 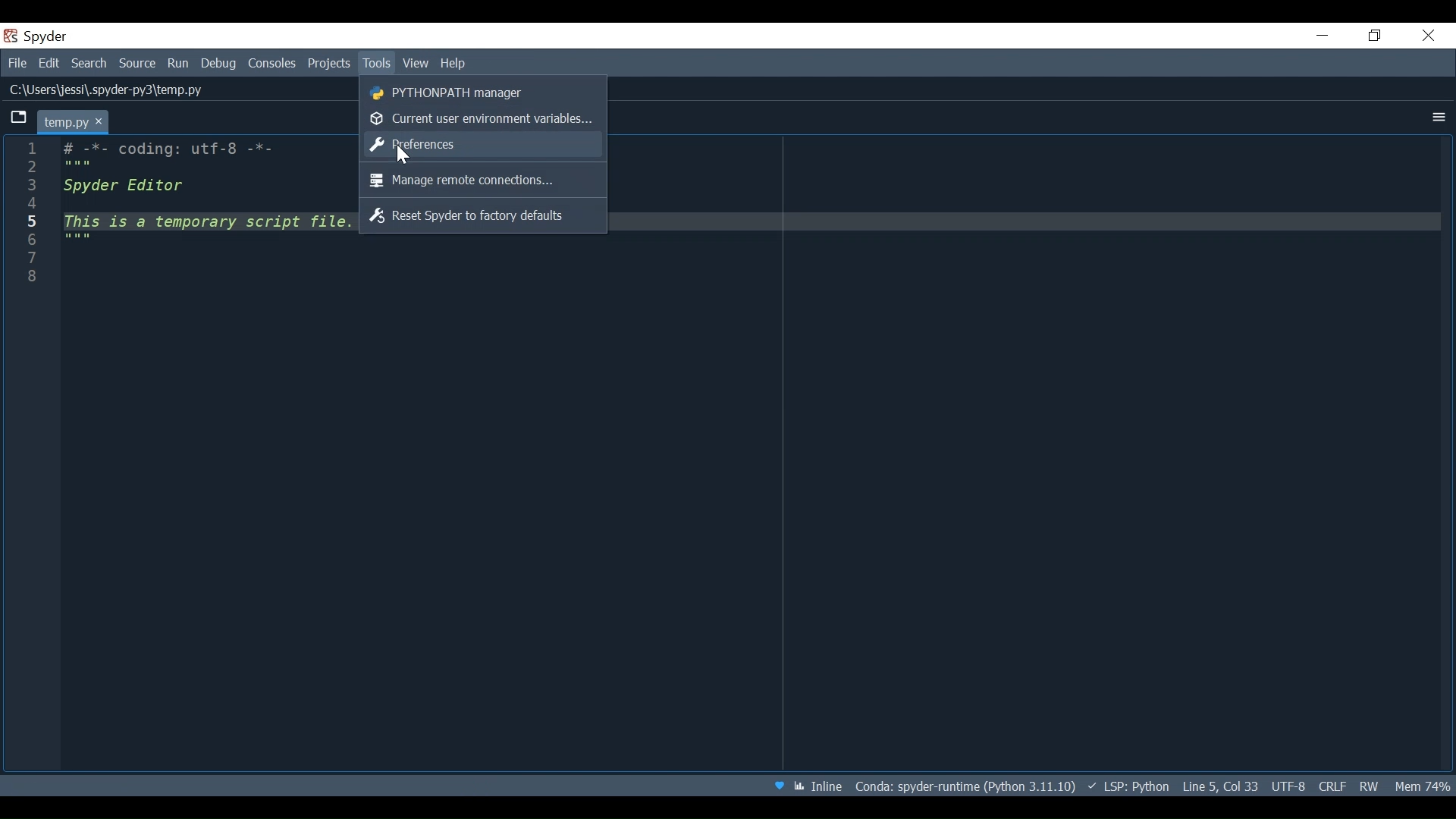 I want to click on Cursor , so click(x=403, y=155).